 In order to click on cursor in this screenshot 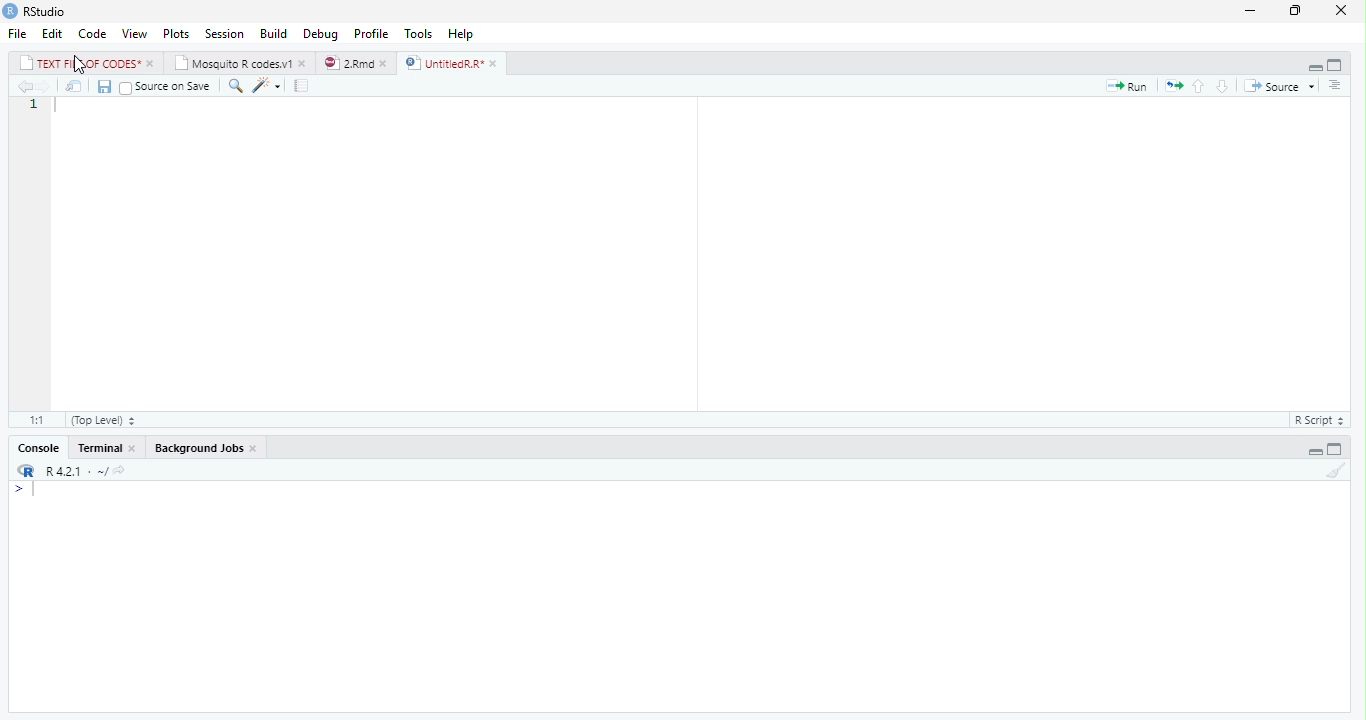, I will do `click(80, 66)`.